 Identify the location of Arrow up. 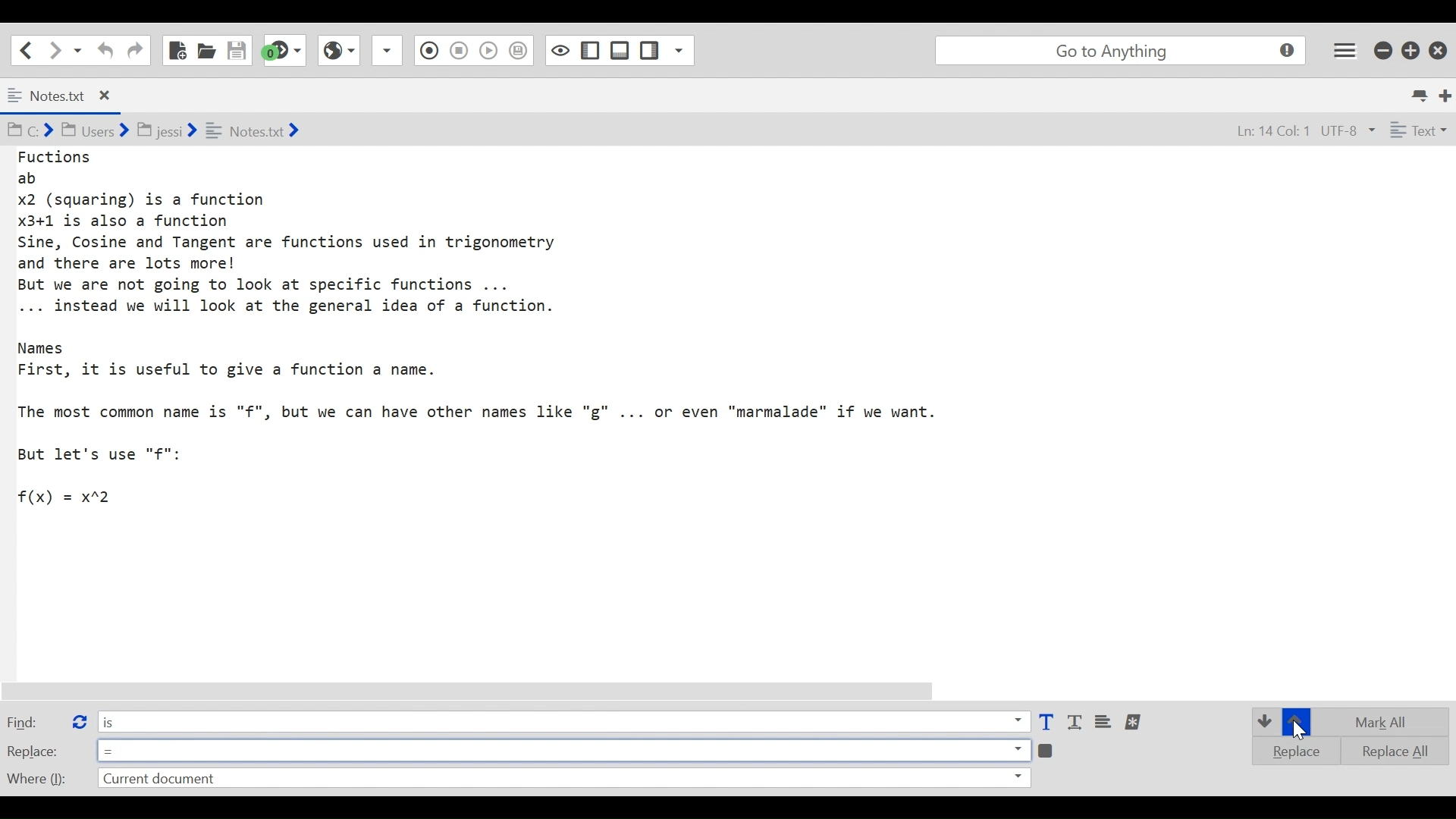
(1296, 723).